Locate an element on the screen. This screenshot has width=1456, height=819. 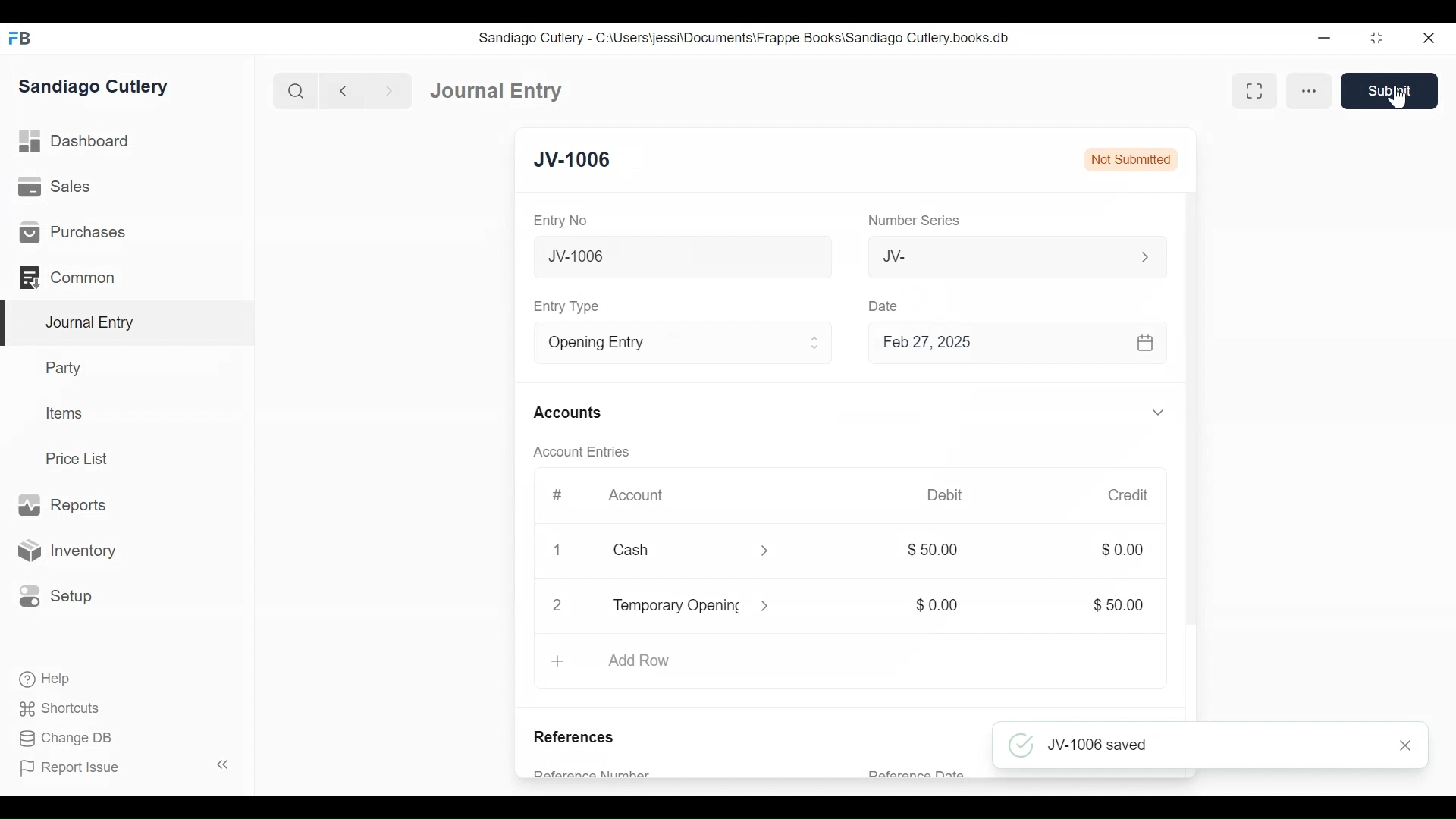
Close is located at coordinates (1427, 38).